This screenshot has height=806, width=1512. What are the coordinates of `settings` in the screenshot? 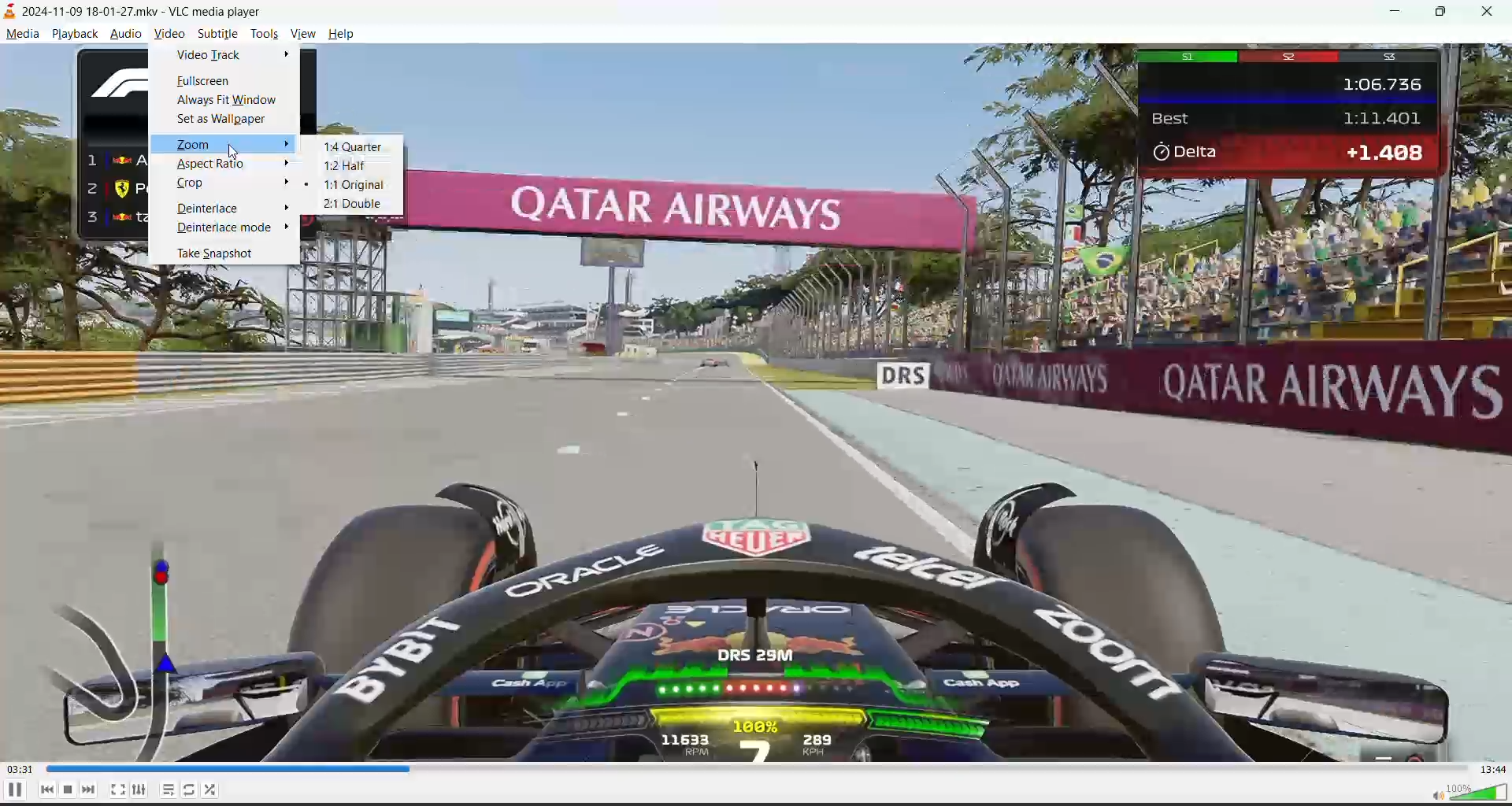 It's located at (138, 789).